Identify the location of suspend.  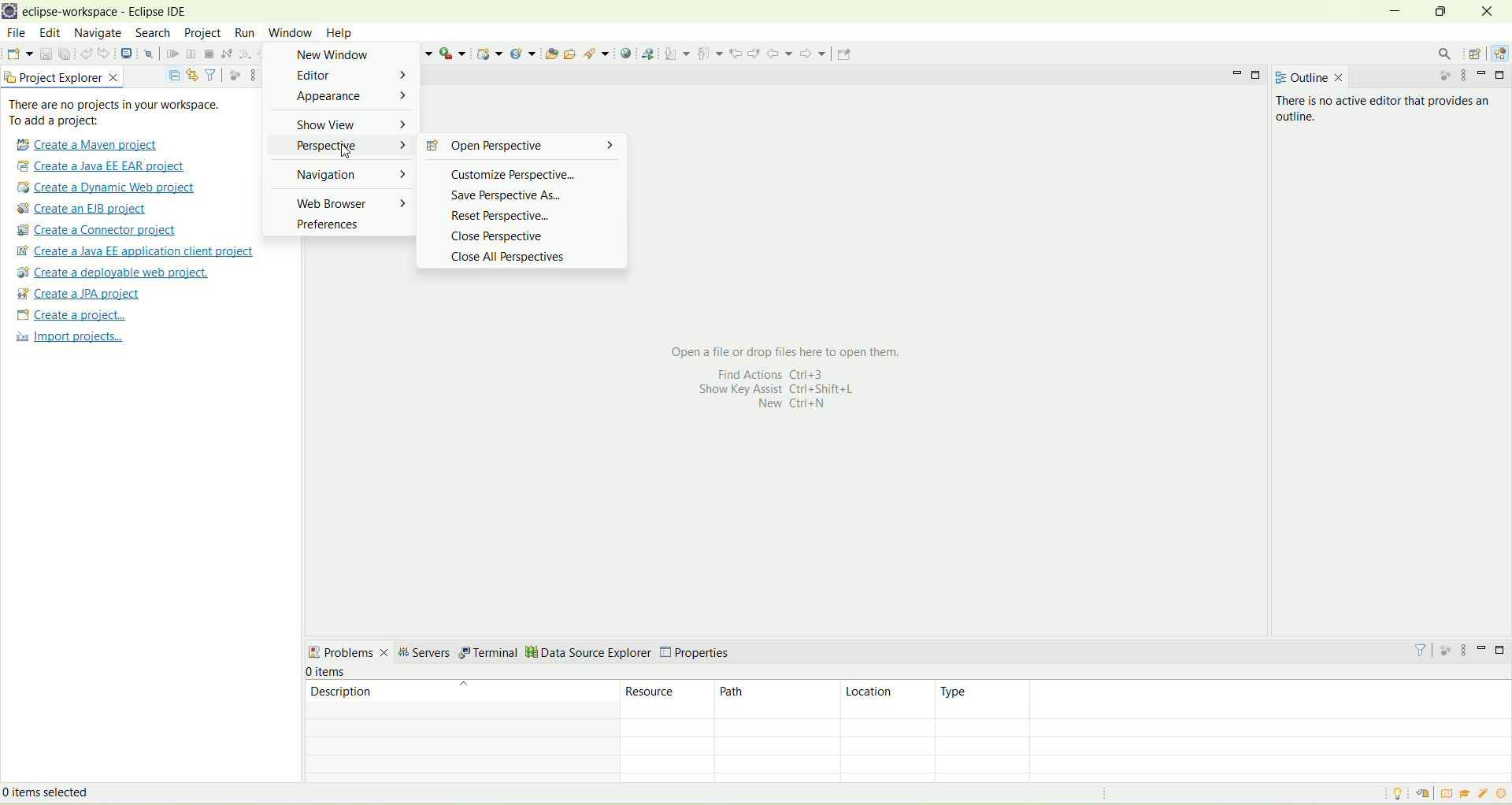
(190, 55).